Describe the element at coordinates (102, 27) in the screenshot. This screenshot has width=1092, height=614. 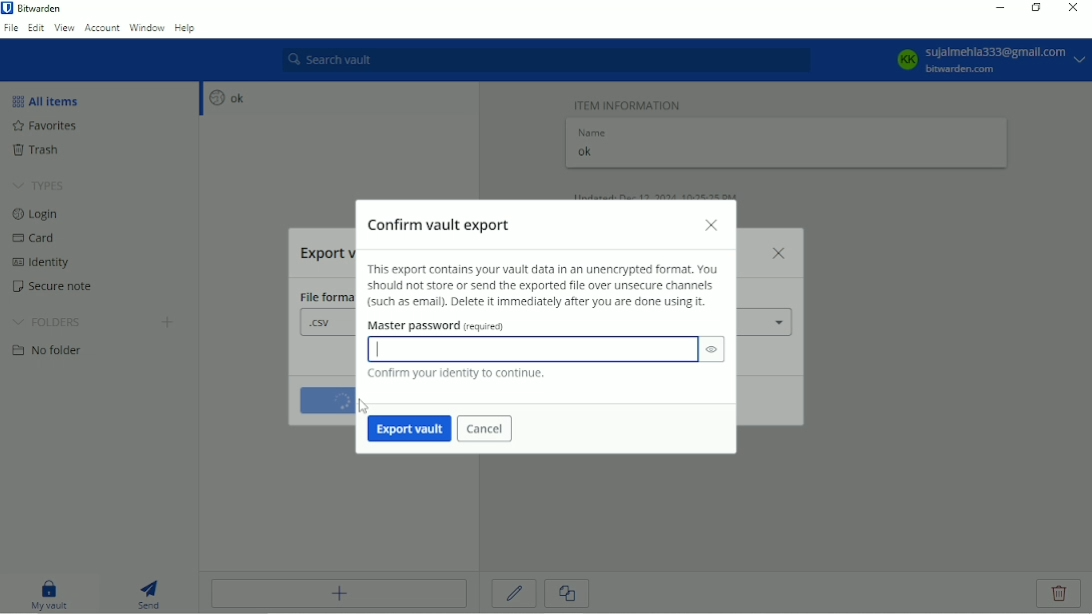
I see `Account` at that location.